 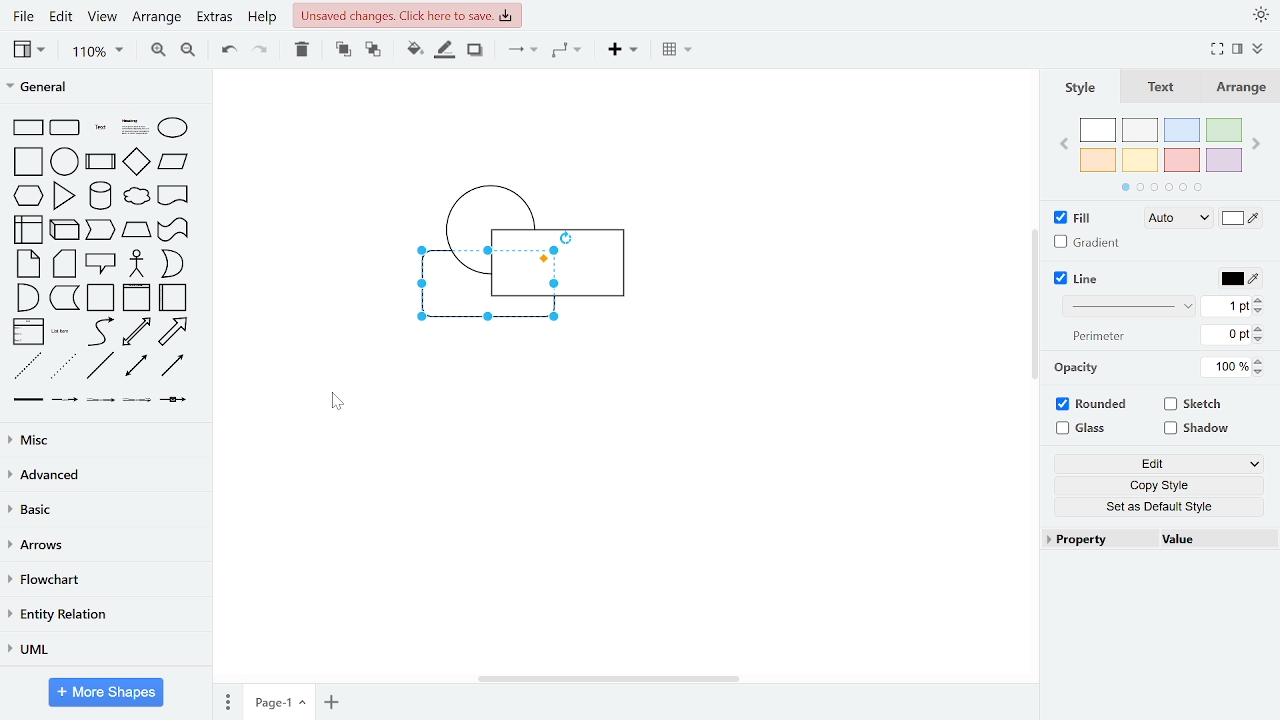 I want to click on connector with symbol, so click(x=174, y=401).